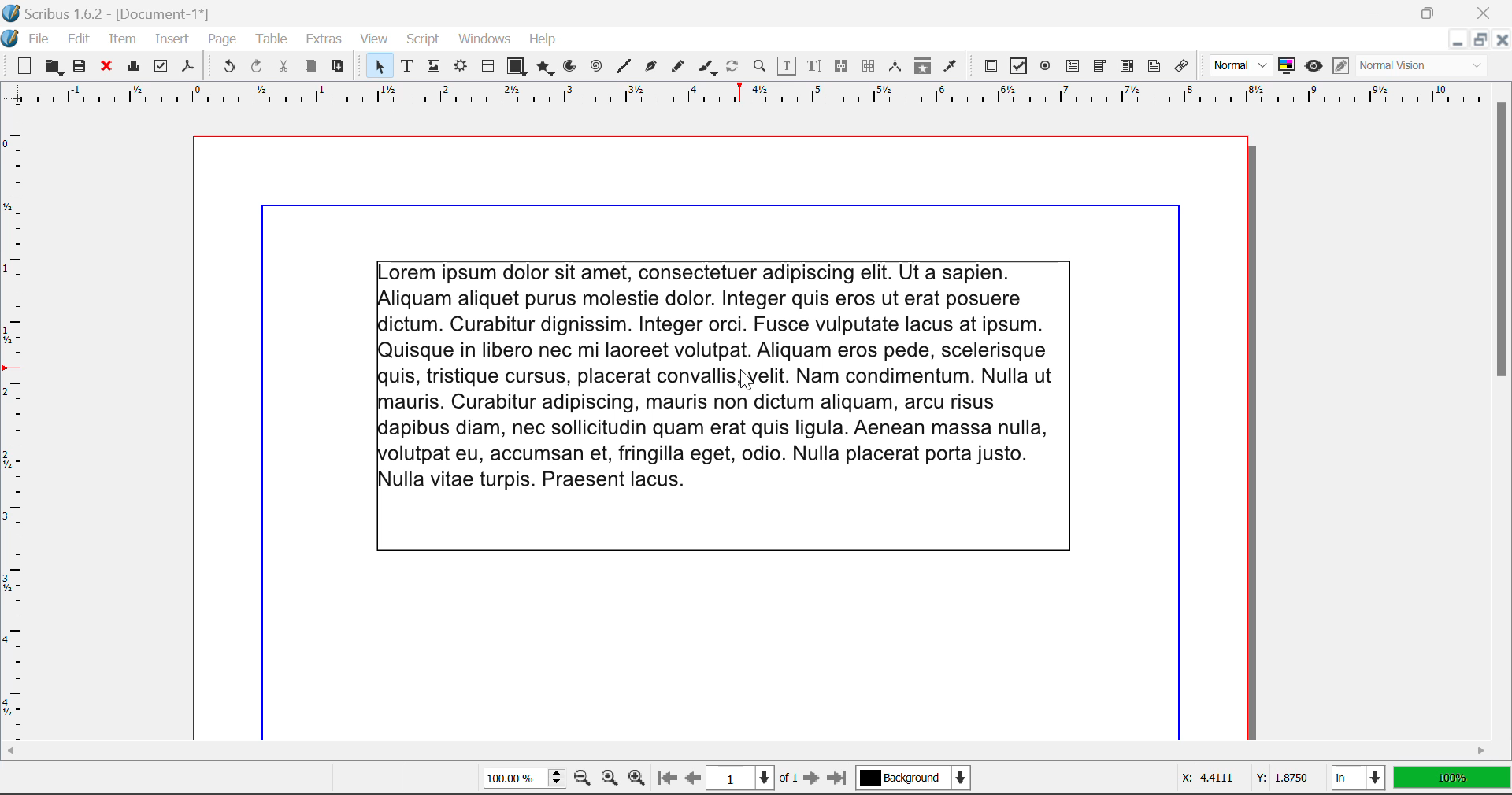  Describe the element at coordinates (693, 780) in the screenshot. I see `Previous Page` at that location.